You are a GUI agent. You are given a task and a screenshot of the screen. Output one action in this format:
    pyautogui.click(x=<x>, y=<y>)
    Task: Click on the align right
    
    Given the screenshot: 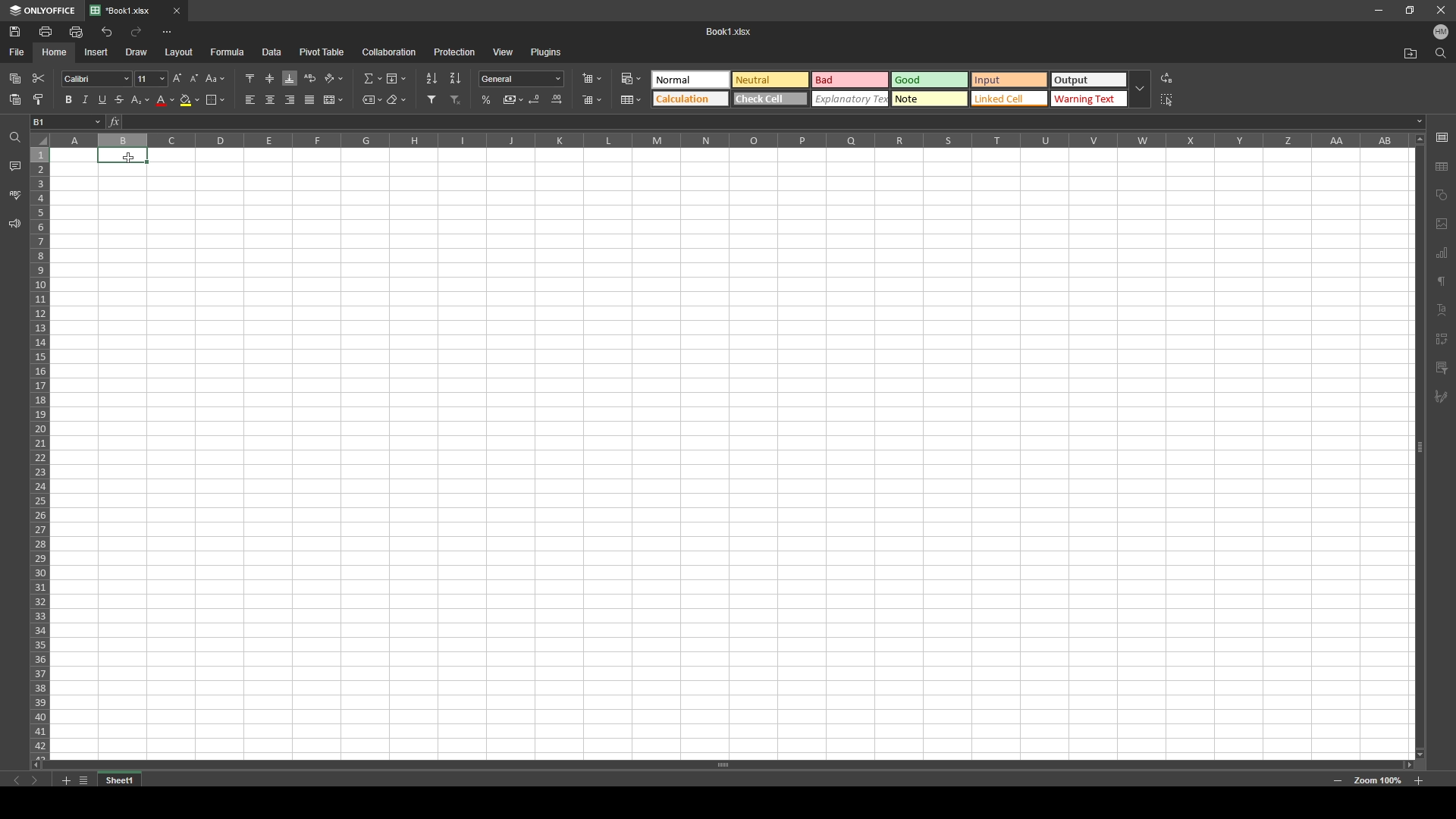 What is the action you would take?
    pyautogui.click(x=290, y=100)
    